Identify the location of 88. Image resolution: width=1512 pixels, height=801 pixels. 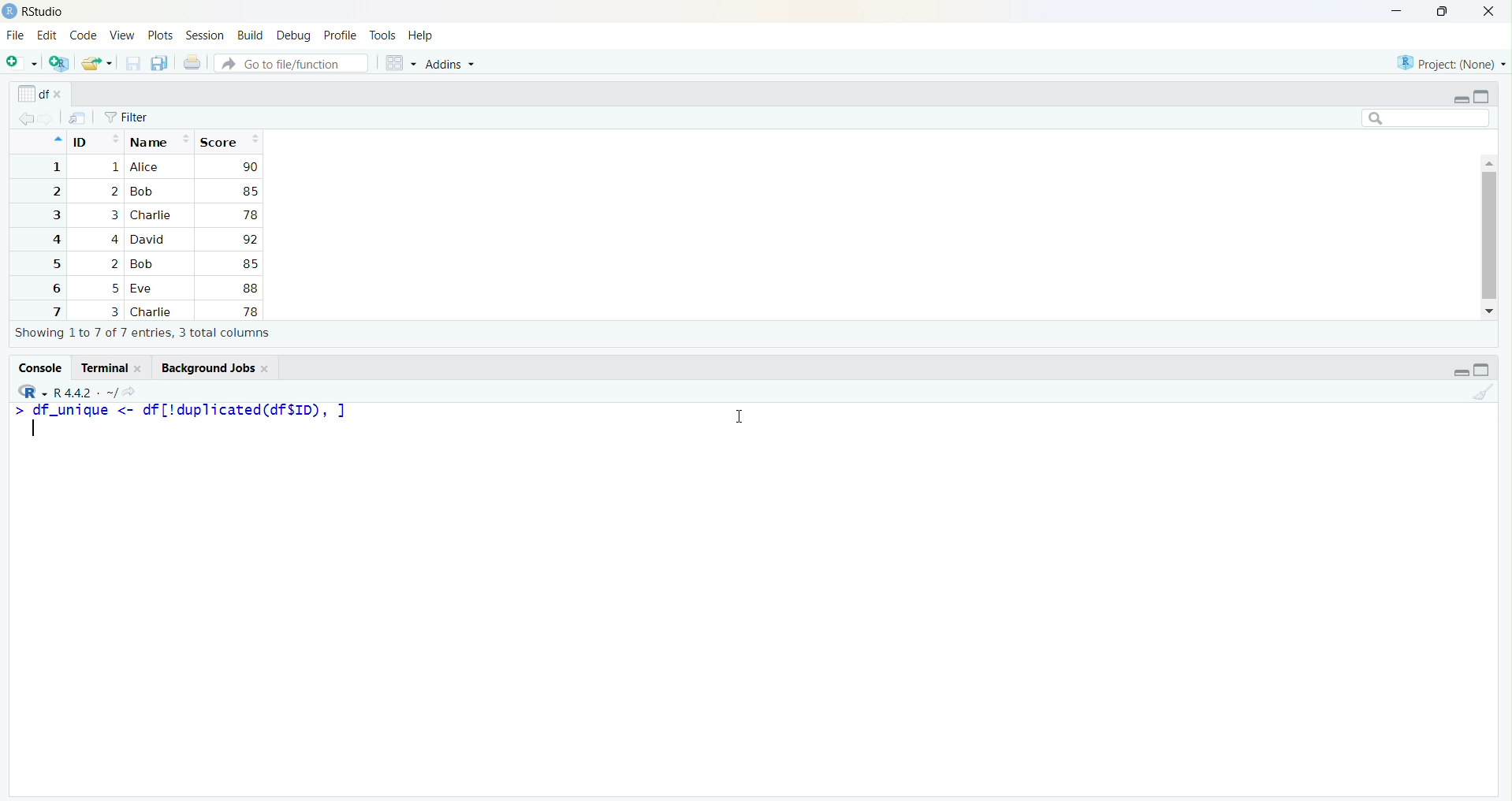
(251, 288).